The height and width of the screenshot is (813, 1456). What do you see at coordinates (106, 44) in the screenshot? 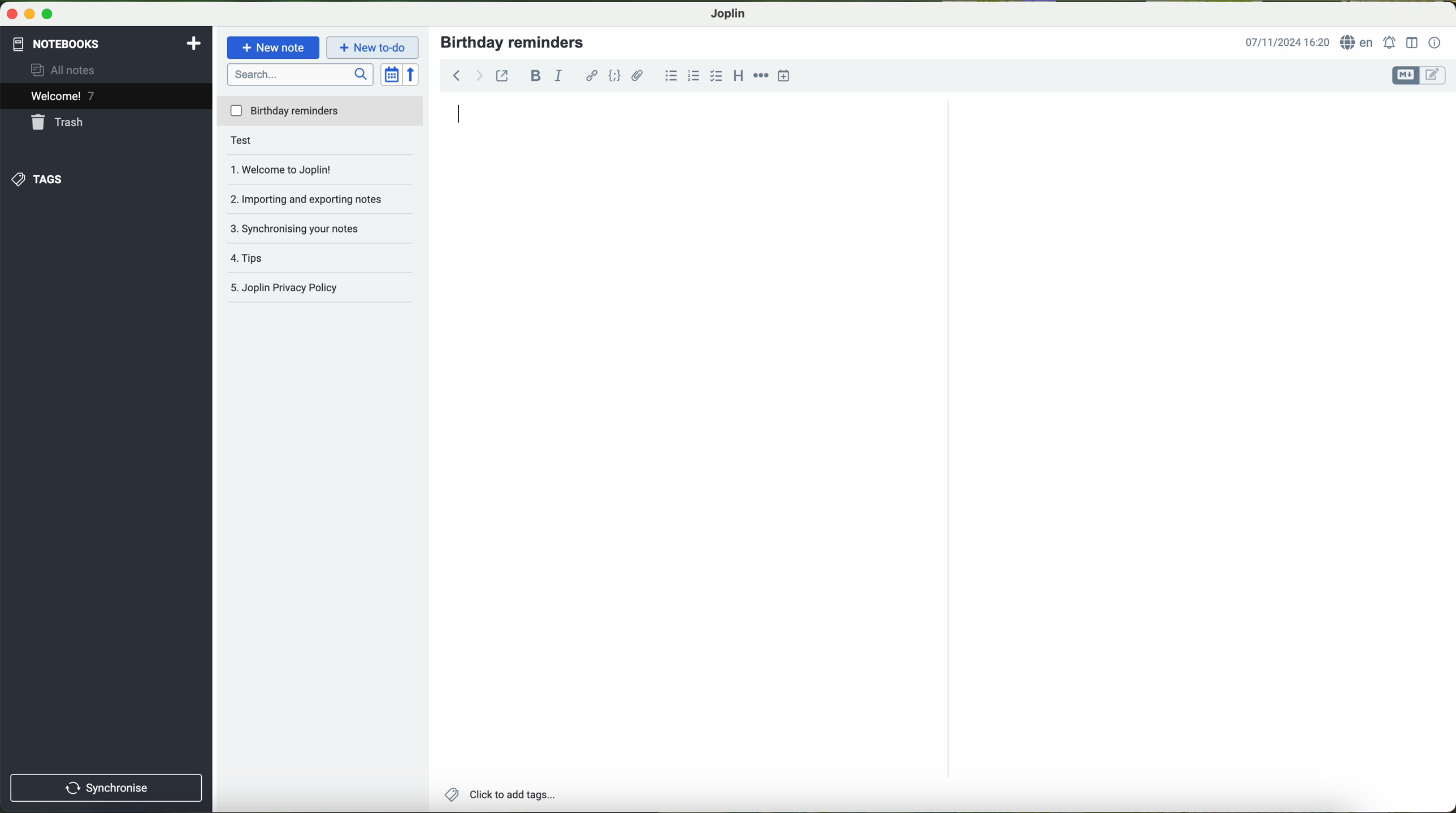
I see `notebooks tab` at bounding box center [106, 44].